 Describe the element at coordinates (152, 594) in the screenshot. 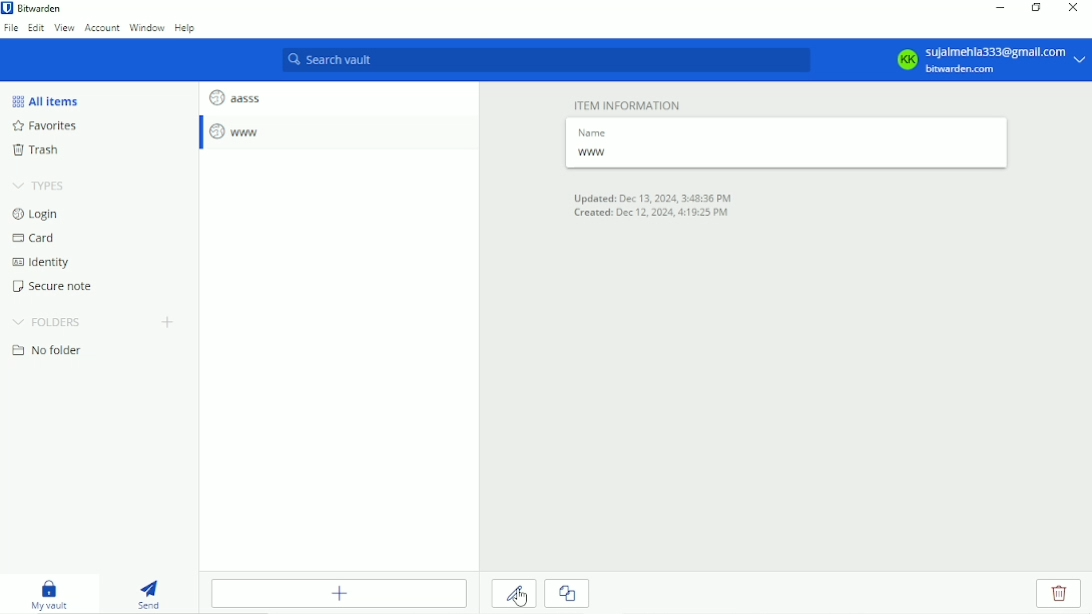

I see `Send` at that location.